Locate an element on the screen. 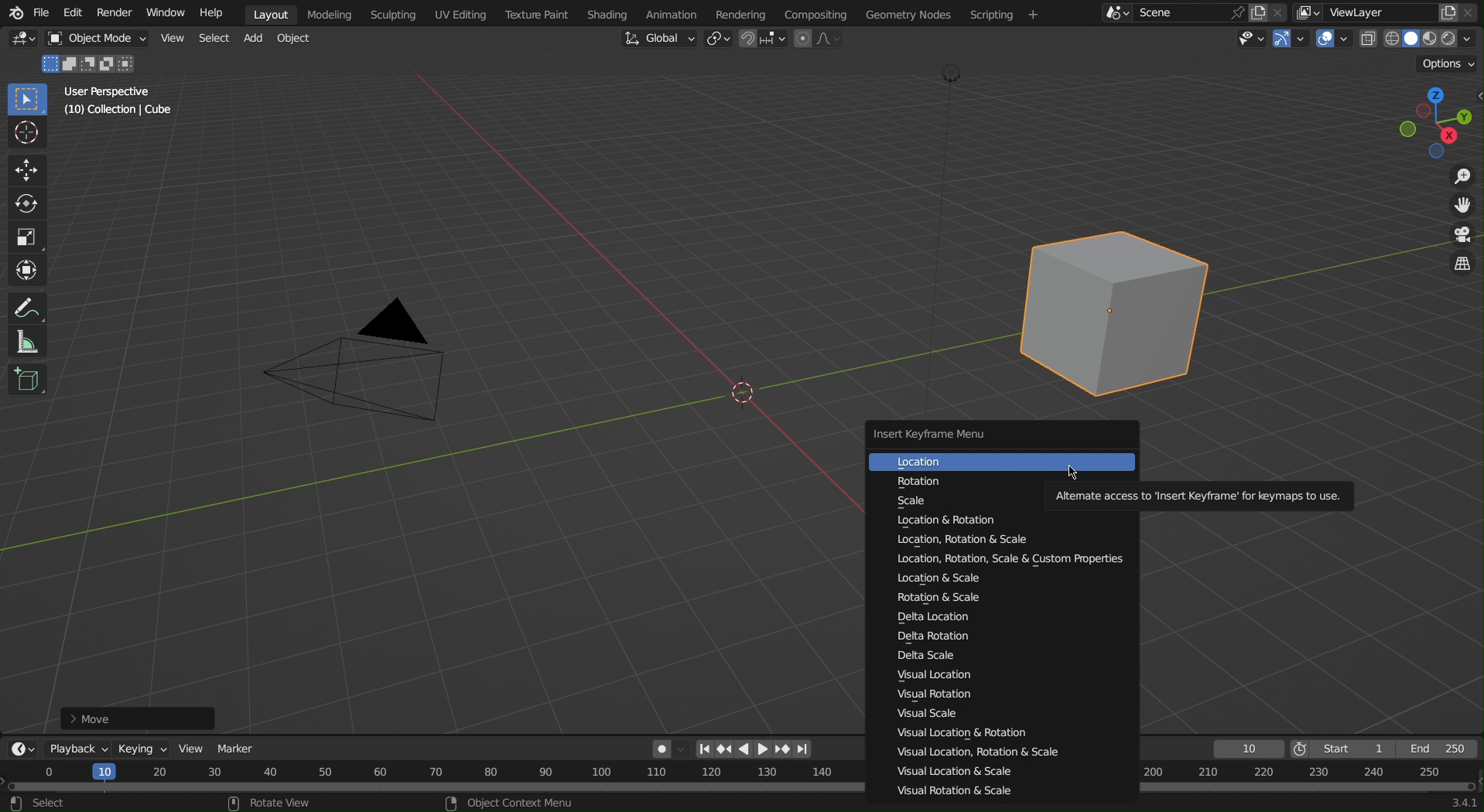  Animation is located at coordinates (685, 12).